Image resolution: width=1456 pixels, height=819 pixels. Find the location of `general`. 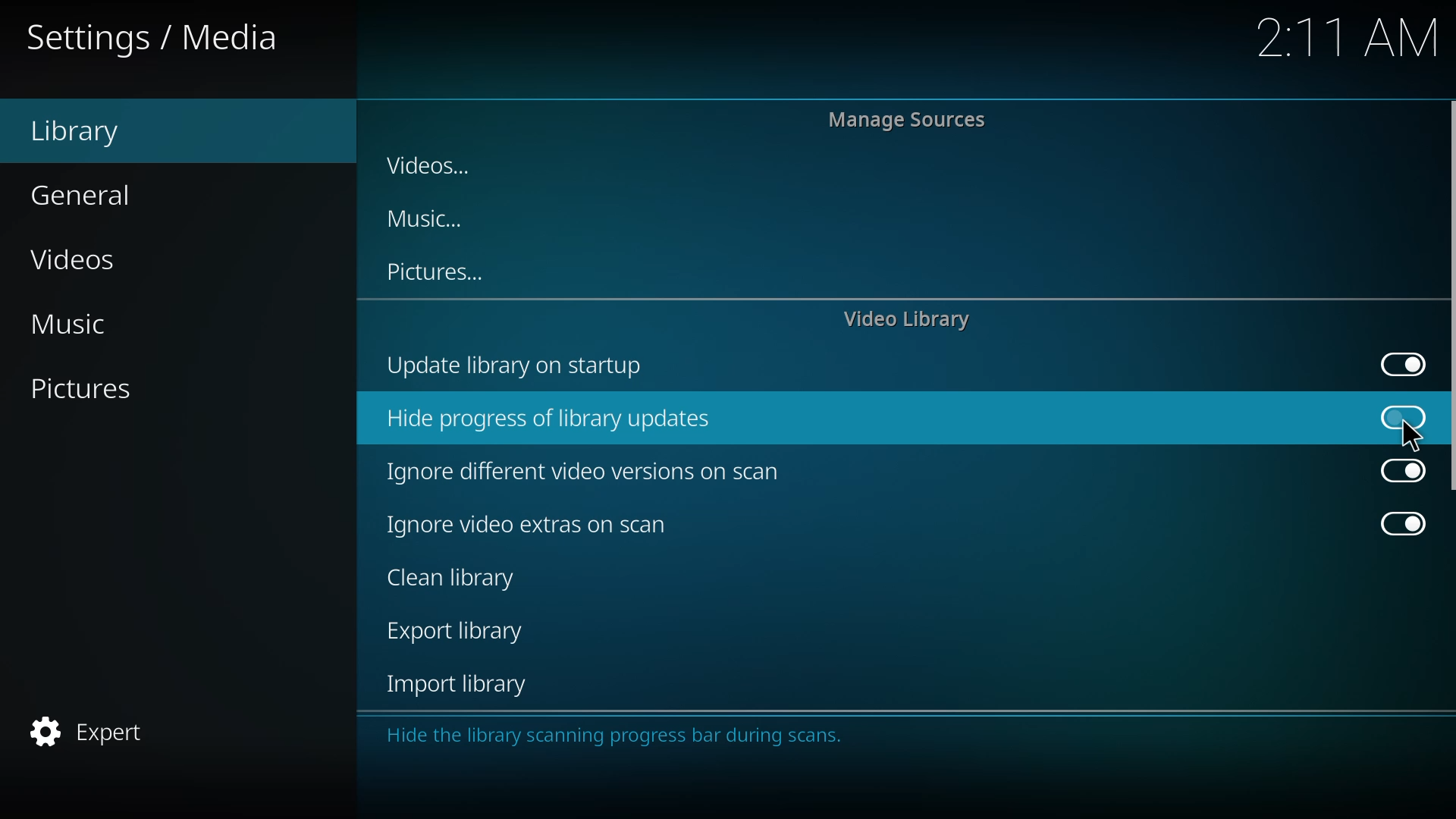

general is located at coordinates (84, 195).